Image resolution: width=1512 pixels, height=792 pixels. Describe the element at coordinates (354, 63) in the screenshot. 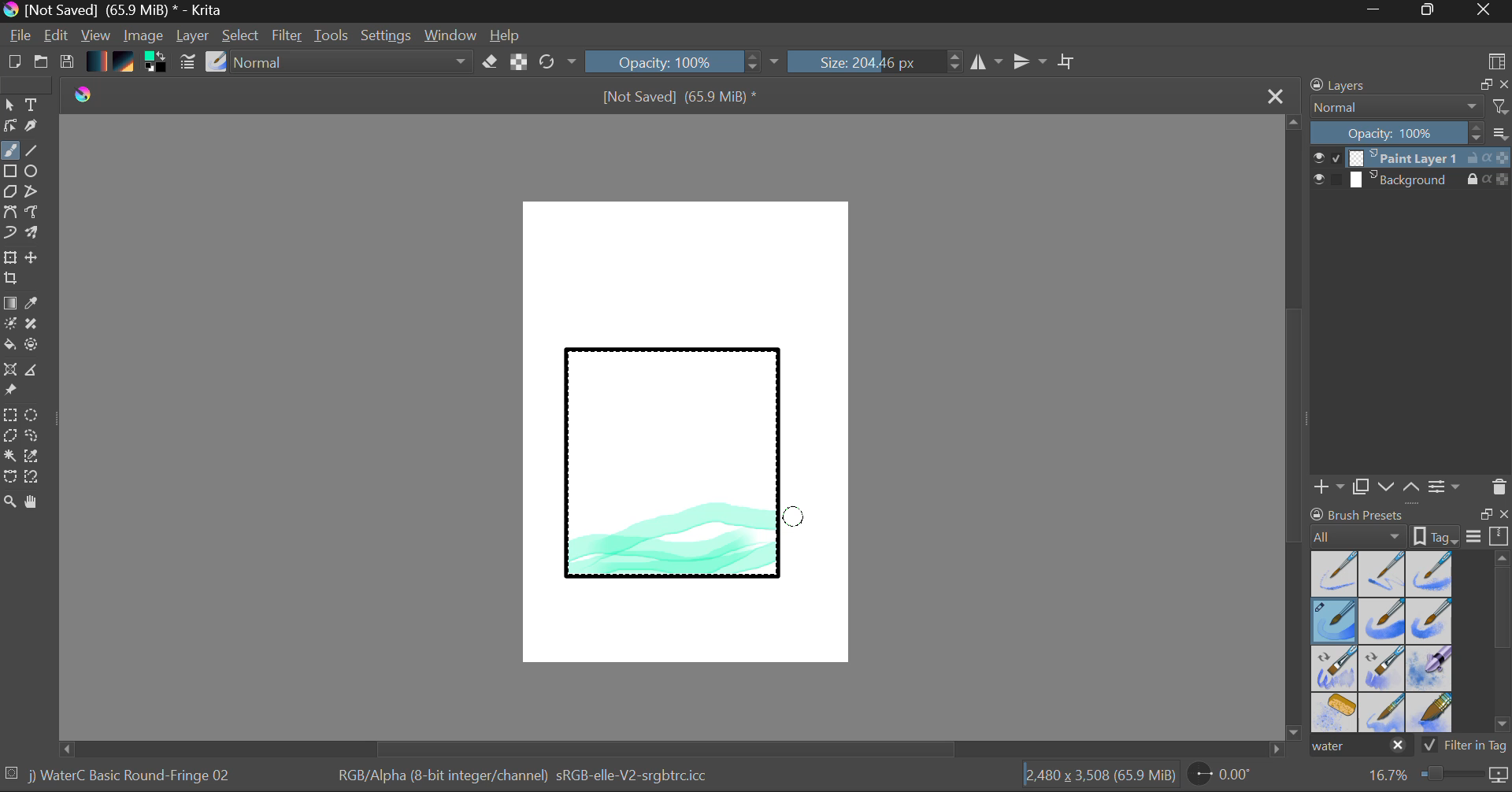

I see `Blending Tool` at that location.